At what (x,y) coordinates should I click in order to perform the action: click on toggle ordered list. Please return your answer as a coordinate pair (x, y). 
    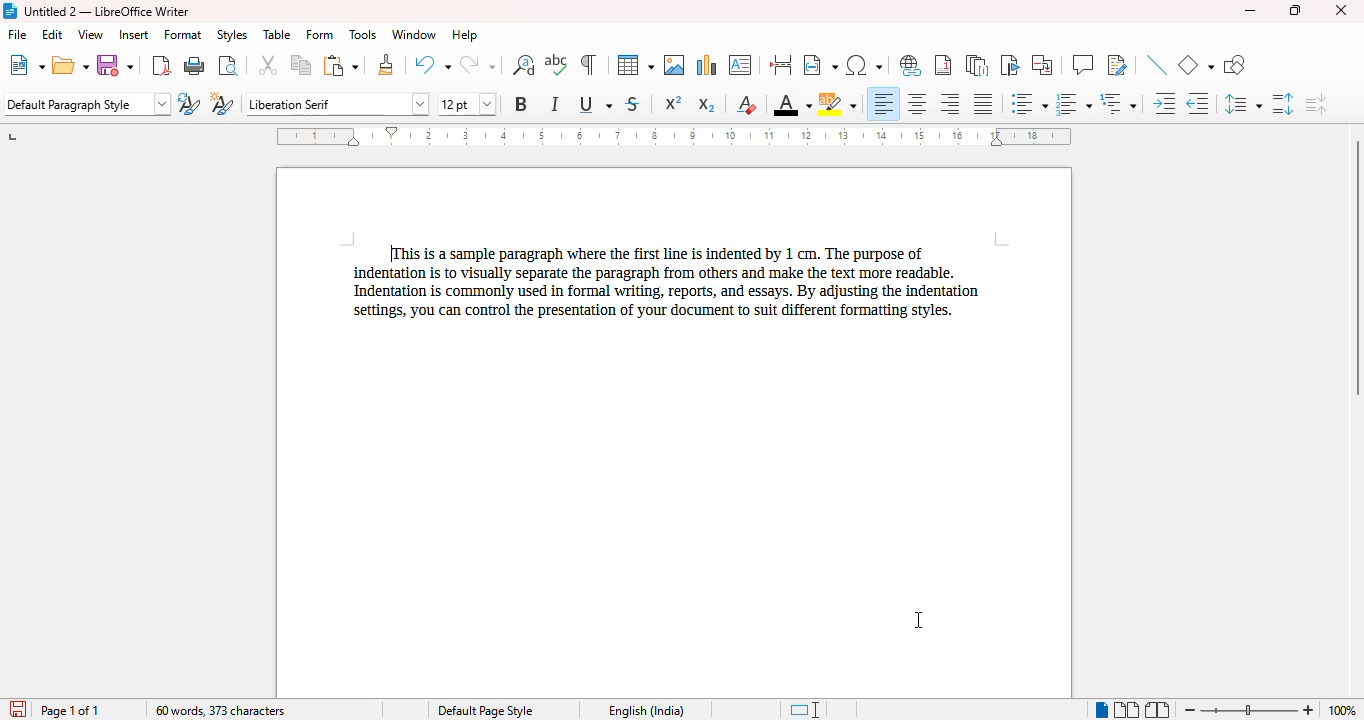
    Looking at the image, I should click on (1074, 103).